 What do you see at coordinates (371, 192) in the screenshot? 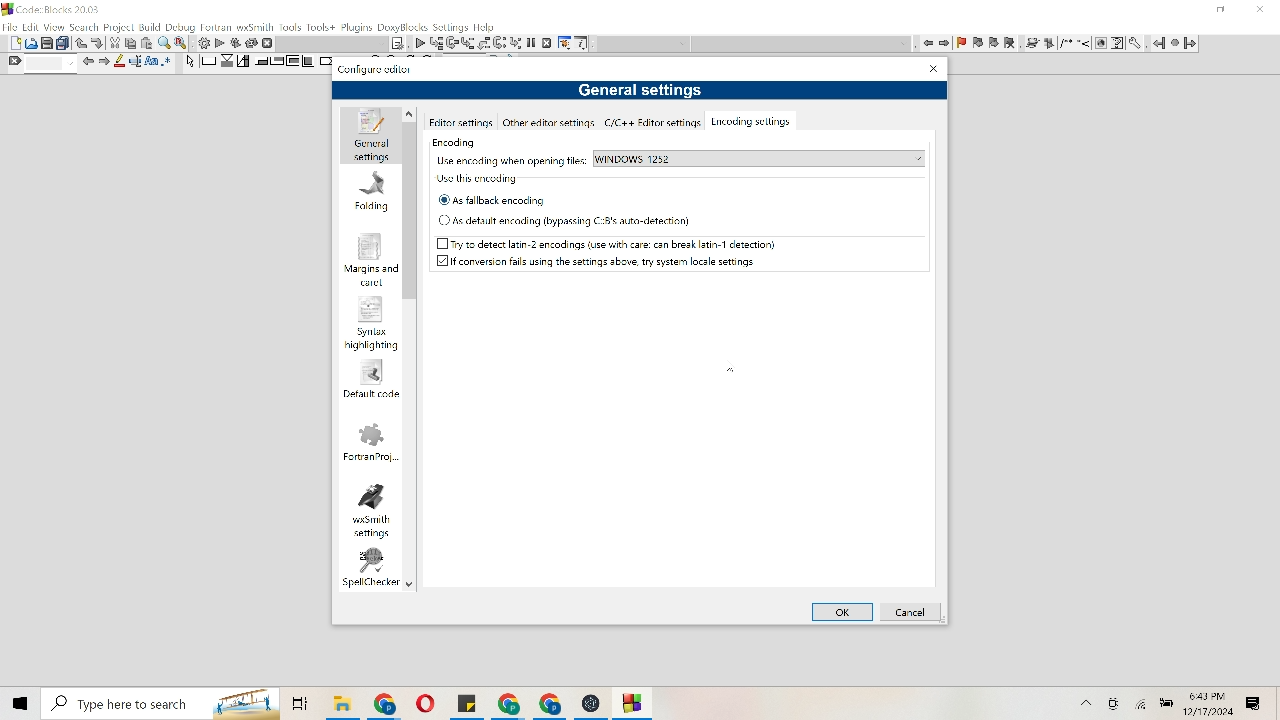
I see `Folding` at bounding box center [371, 192].